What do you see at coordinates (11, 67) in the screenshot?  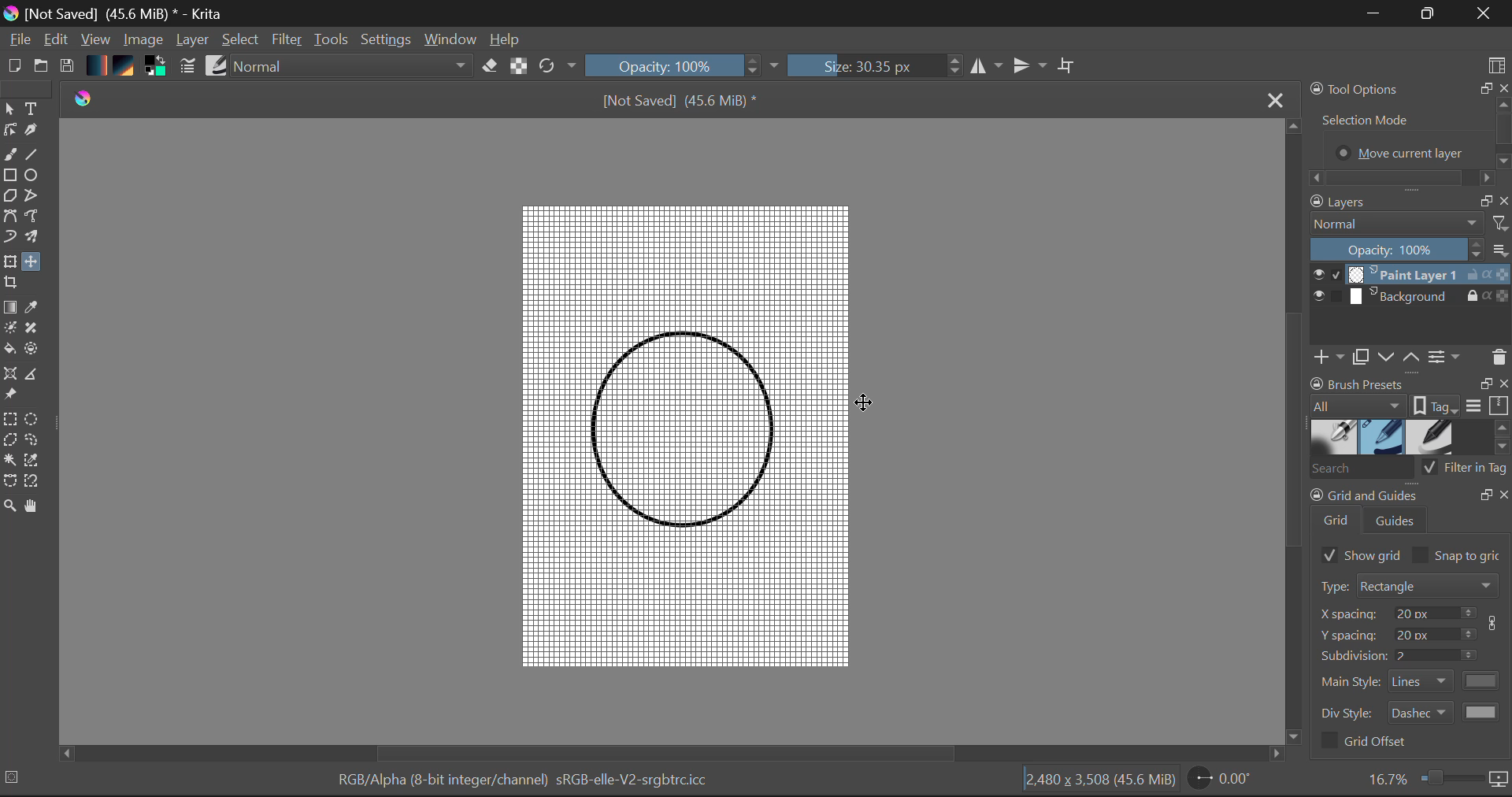 I see `New` at bounding box center [11, 67].